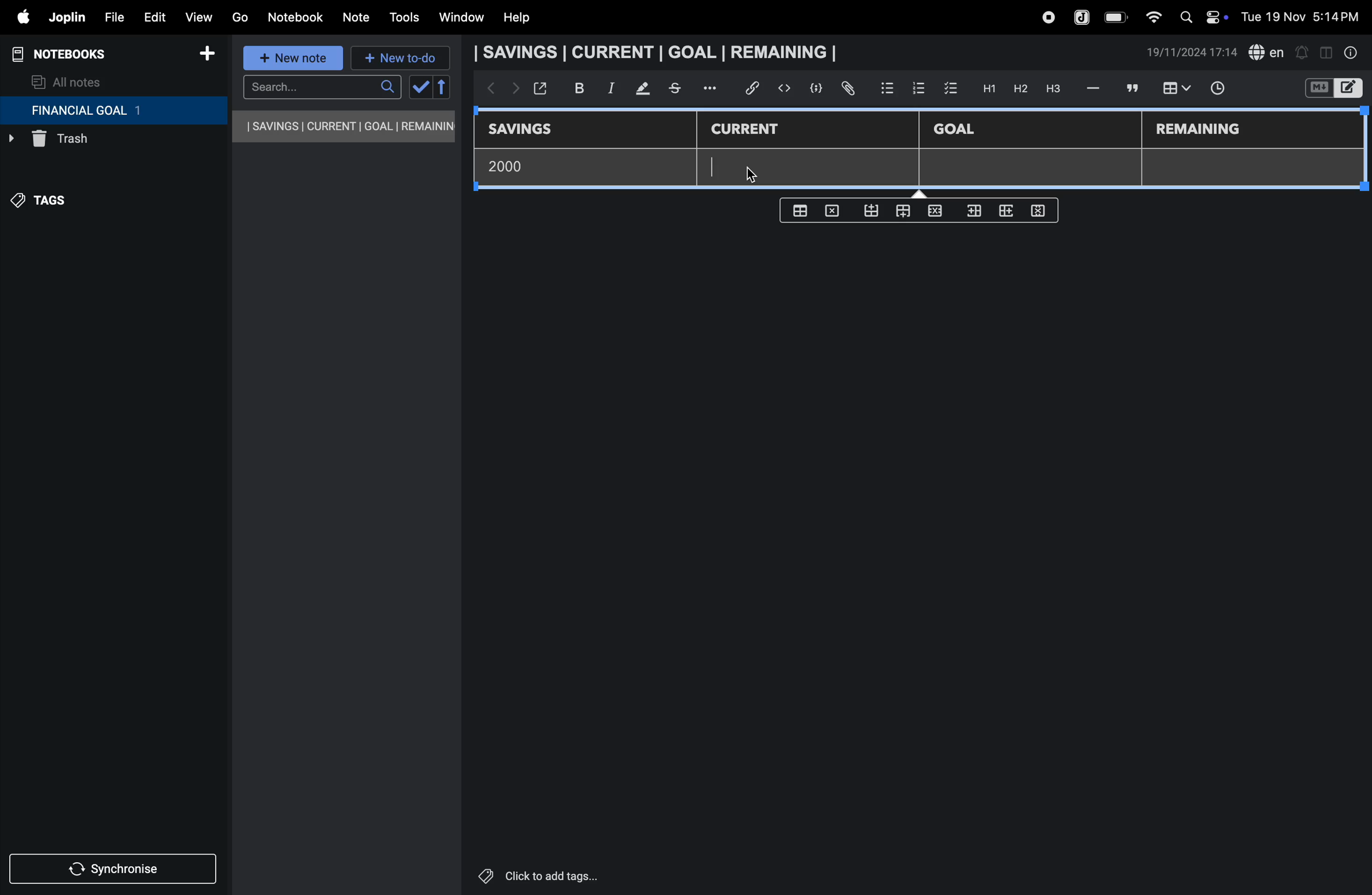  What do you see at coordinates (113, 111) in the screenshot?
I see `financial goal` at bounding box center [113, 111].